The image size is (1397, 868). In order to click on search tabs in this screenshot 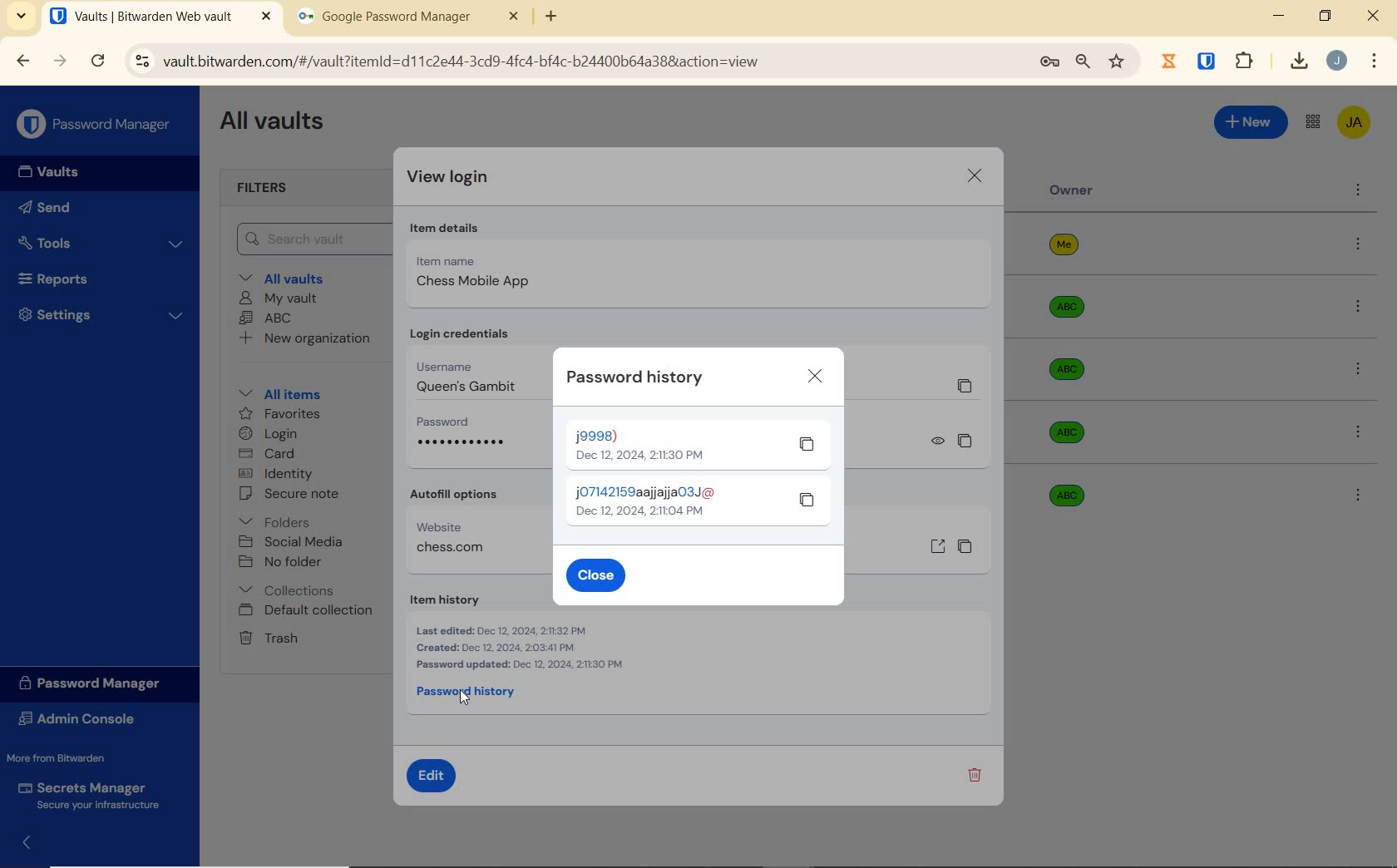, I will do `click(21, 19)`.